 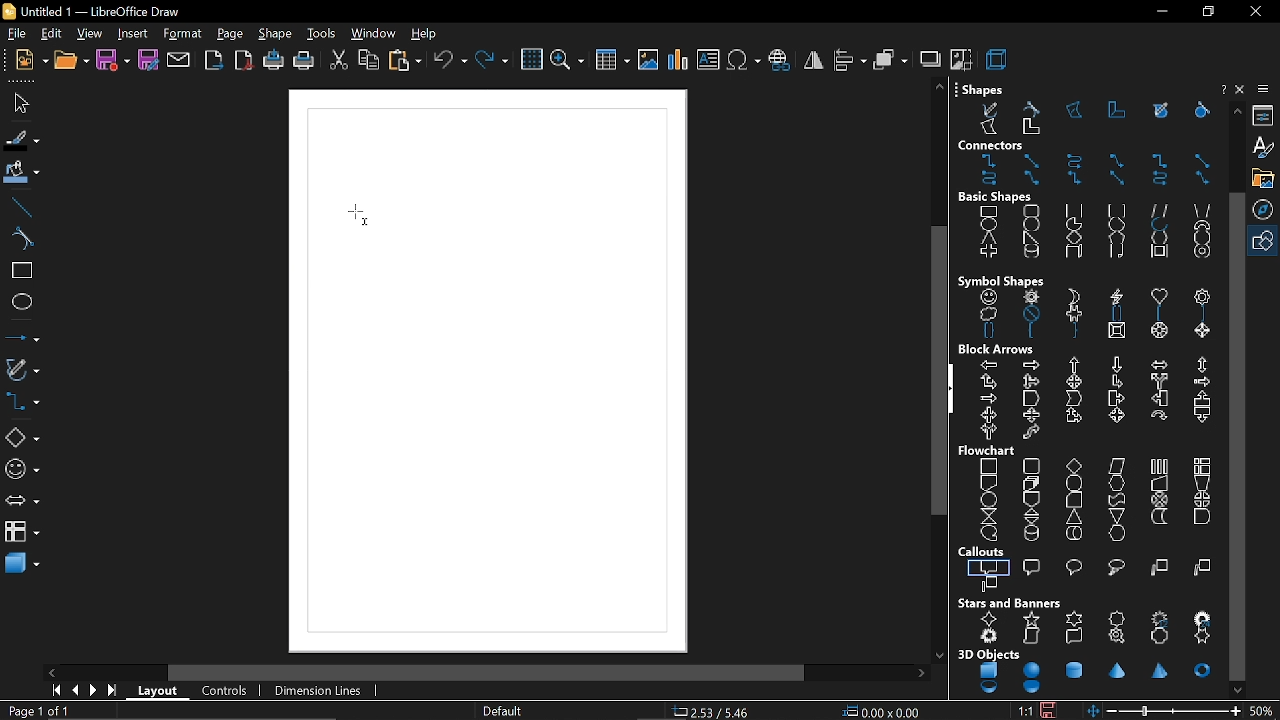 I want to click on decision, so click(x=1074, y=465).